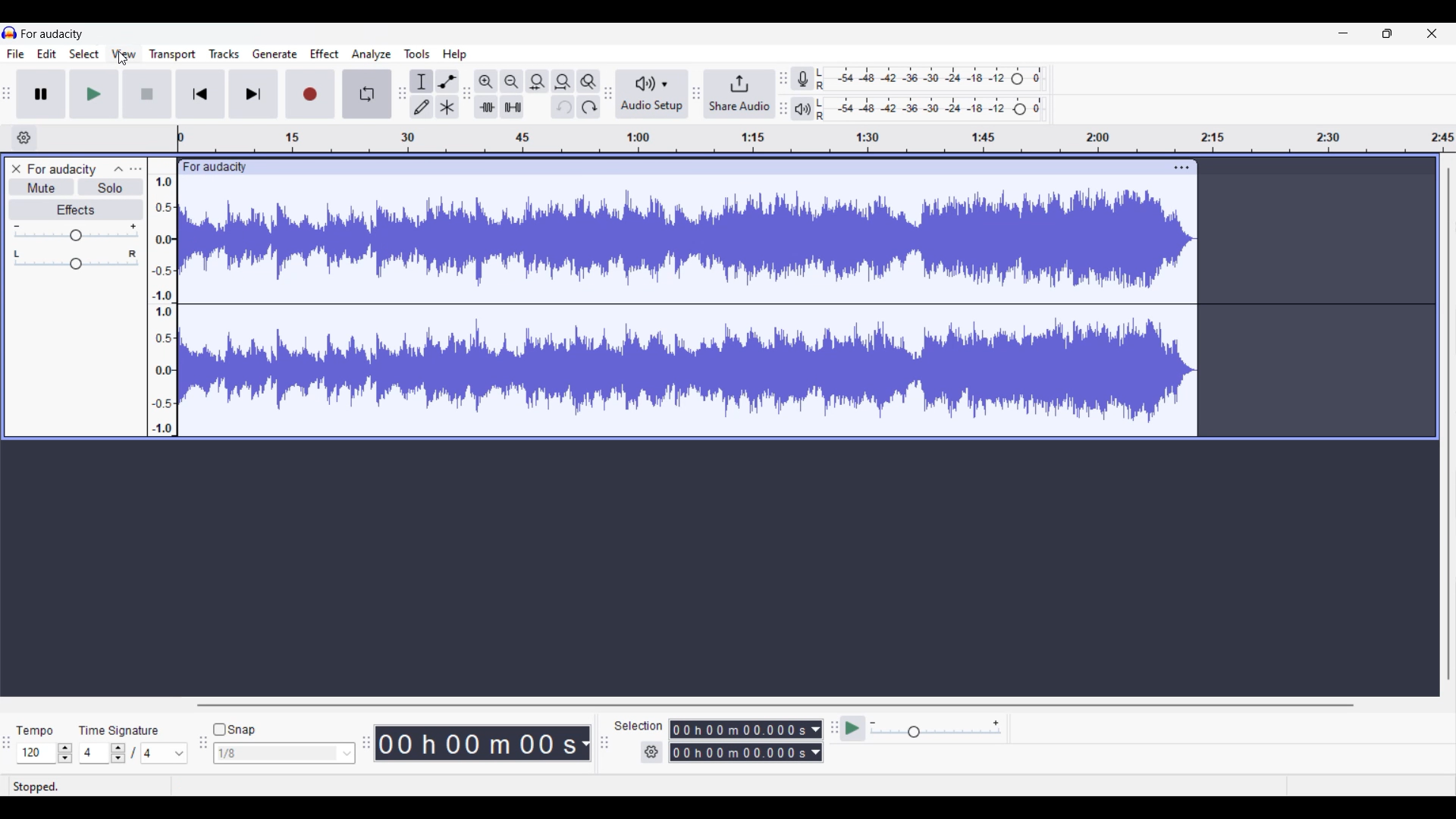  I want to click on Stop, so click(147, 94).